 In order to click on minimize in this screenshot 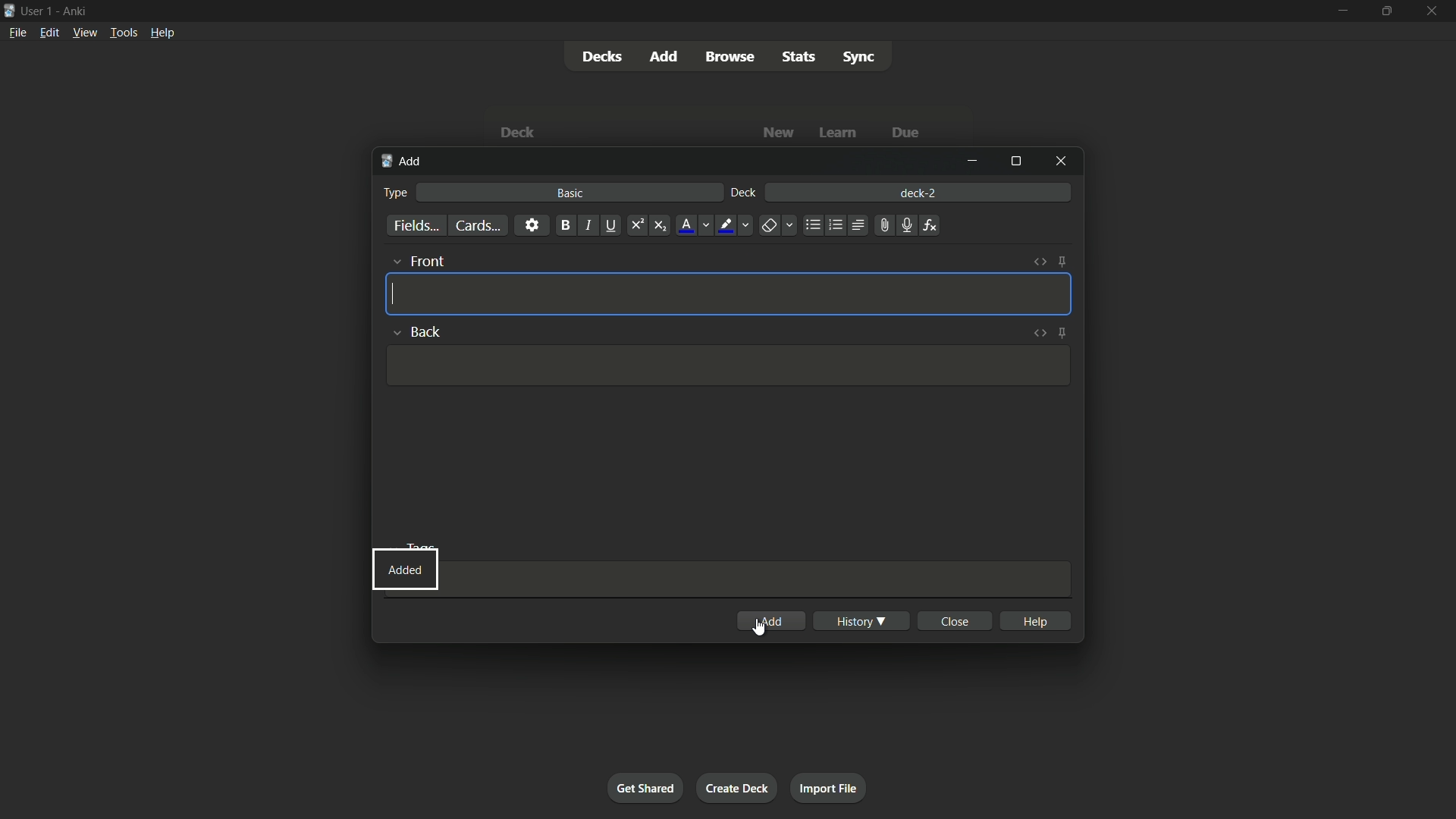, I will do `click(976, 162)`.